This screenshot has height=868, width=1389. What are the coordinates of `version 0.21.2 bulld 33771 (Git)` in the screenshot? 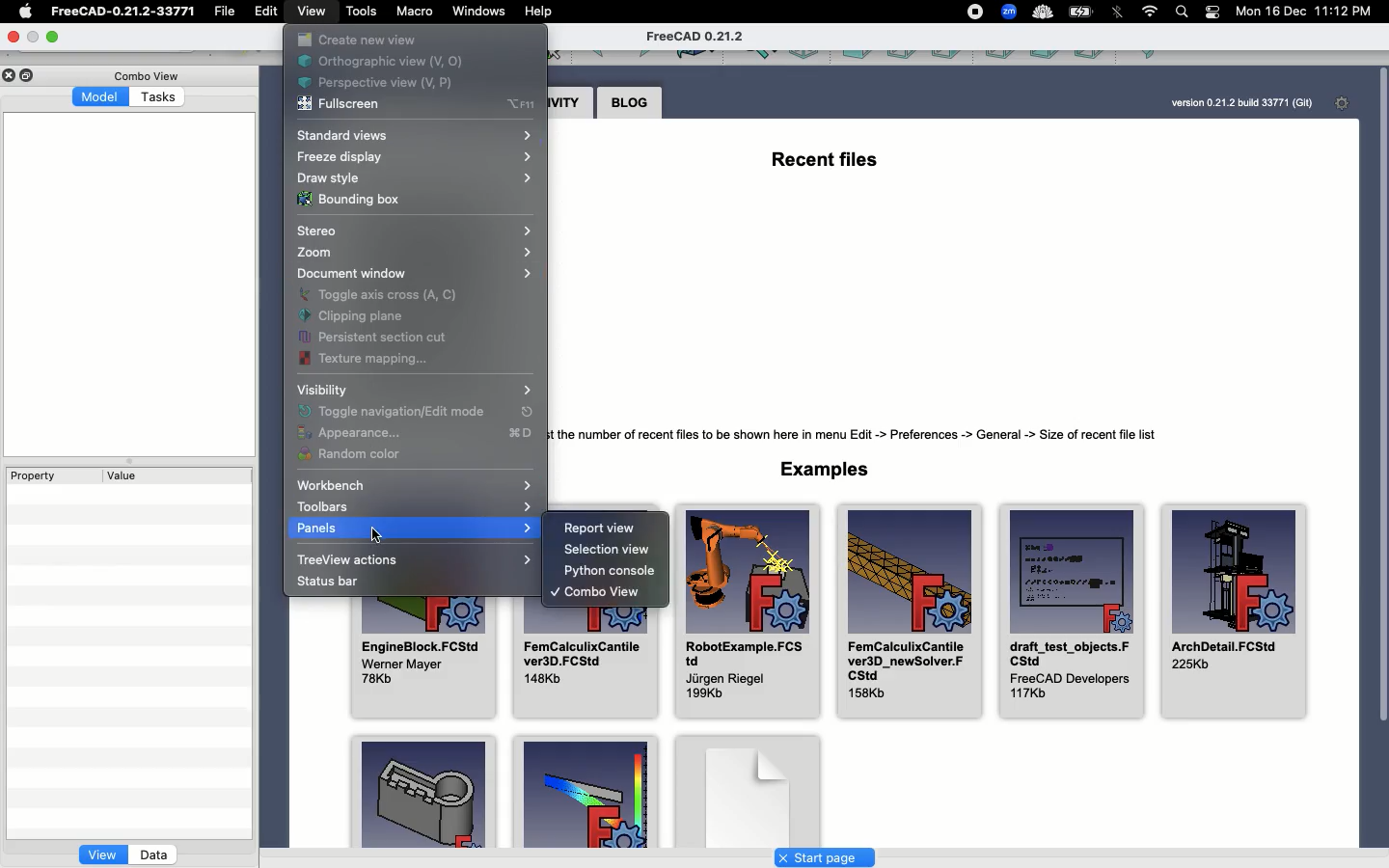 It's located at (1239, 102).